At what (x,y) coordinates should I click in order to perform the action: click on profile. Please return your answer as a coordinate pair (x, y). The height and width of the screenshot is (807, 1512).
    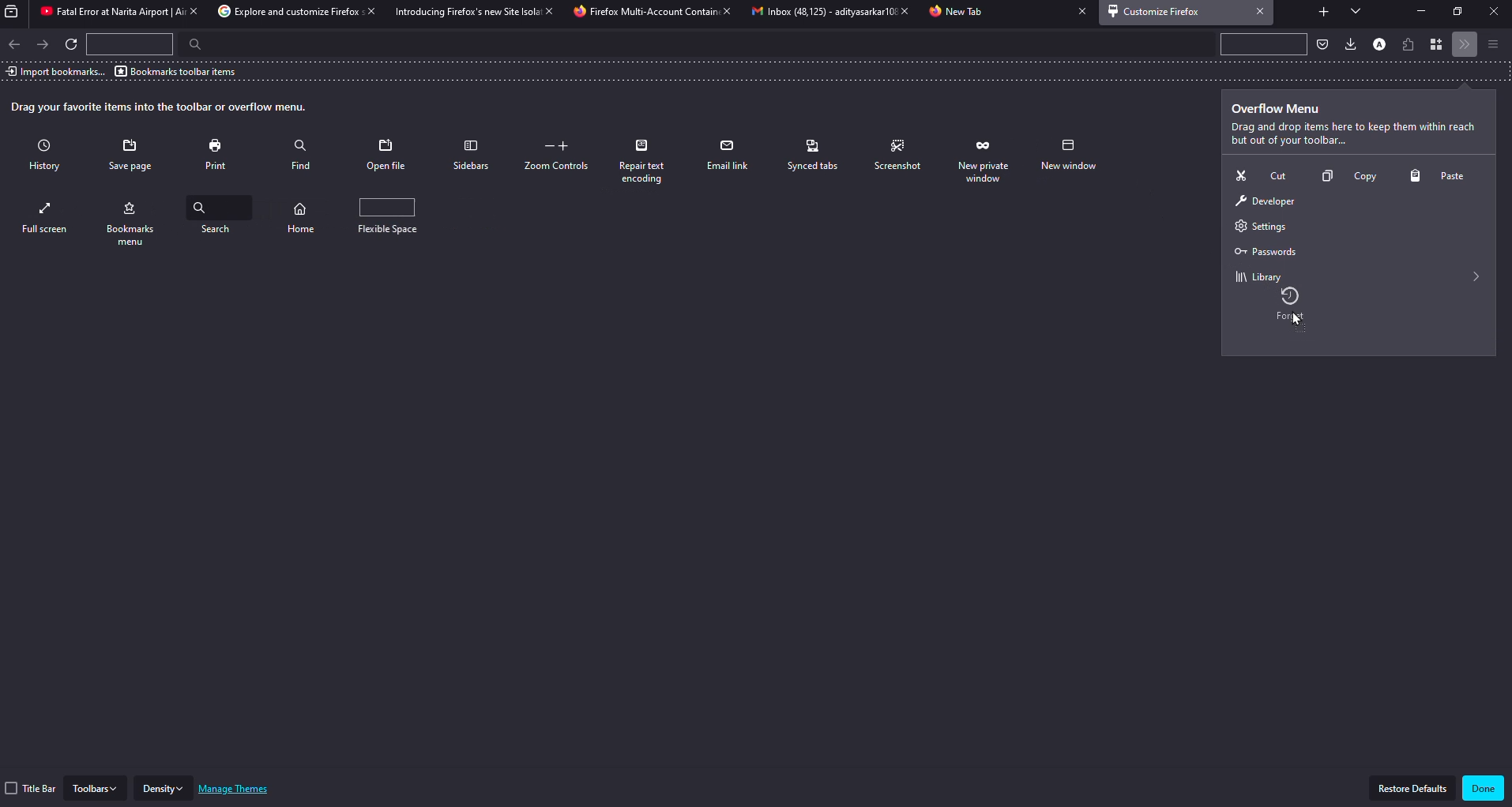
    Looking at the image, I should click on (1378, 43).